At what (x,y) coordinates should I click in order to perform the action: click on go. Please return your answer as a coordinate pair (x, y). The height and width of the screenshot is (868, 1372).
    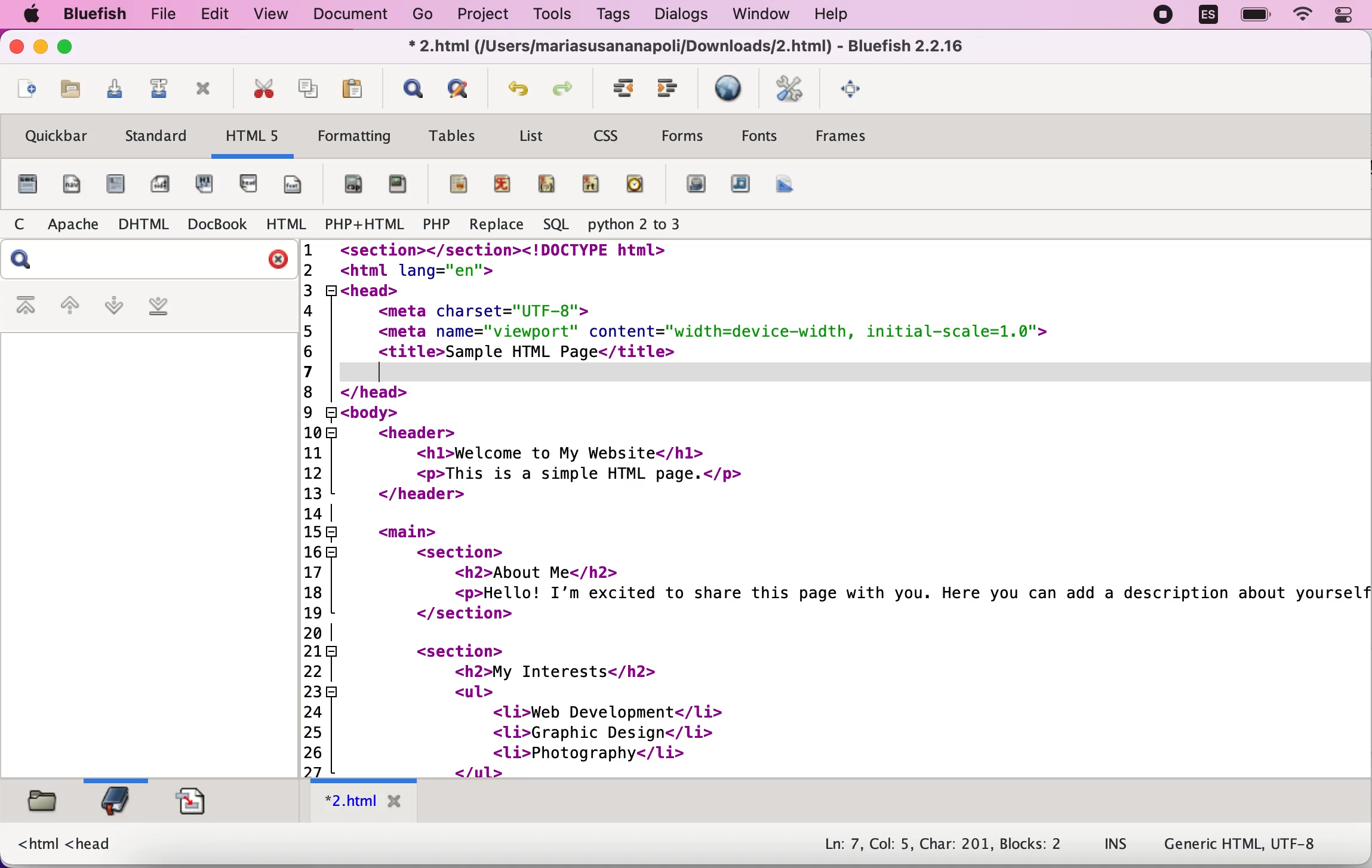
    Looking at the image, I should click on (424, 17).